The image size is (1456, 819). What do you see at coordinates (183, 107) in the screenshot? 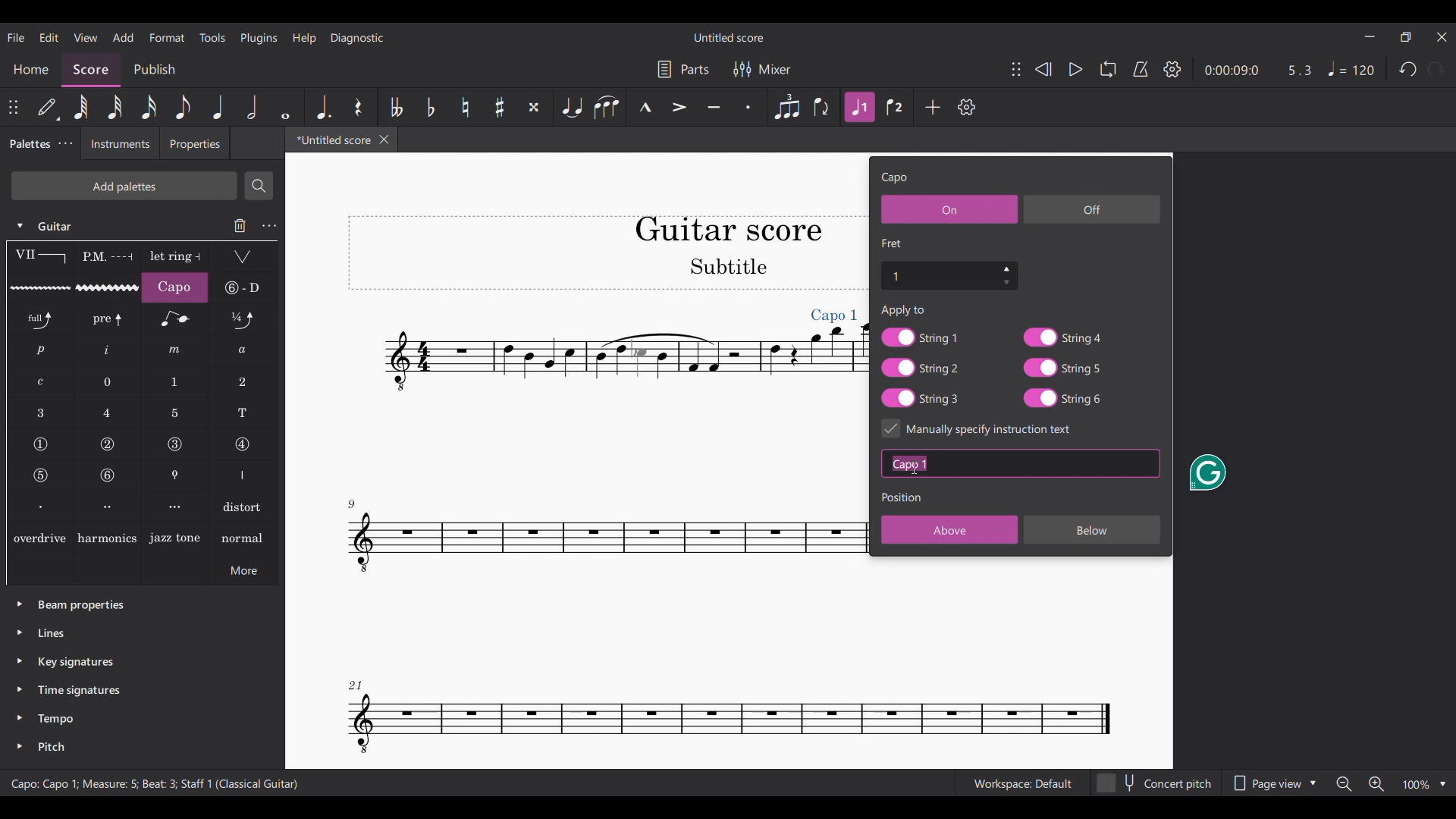
I see `8th note` at bounding box center [183, 107].